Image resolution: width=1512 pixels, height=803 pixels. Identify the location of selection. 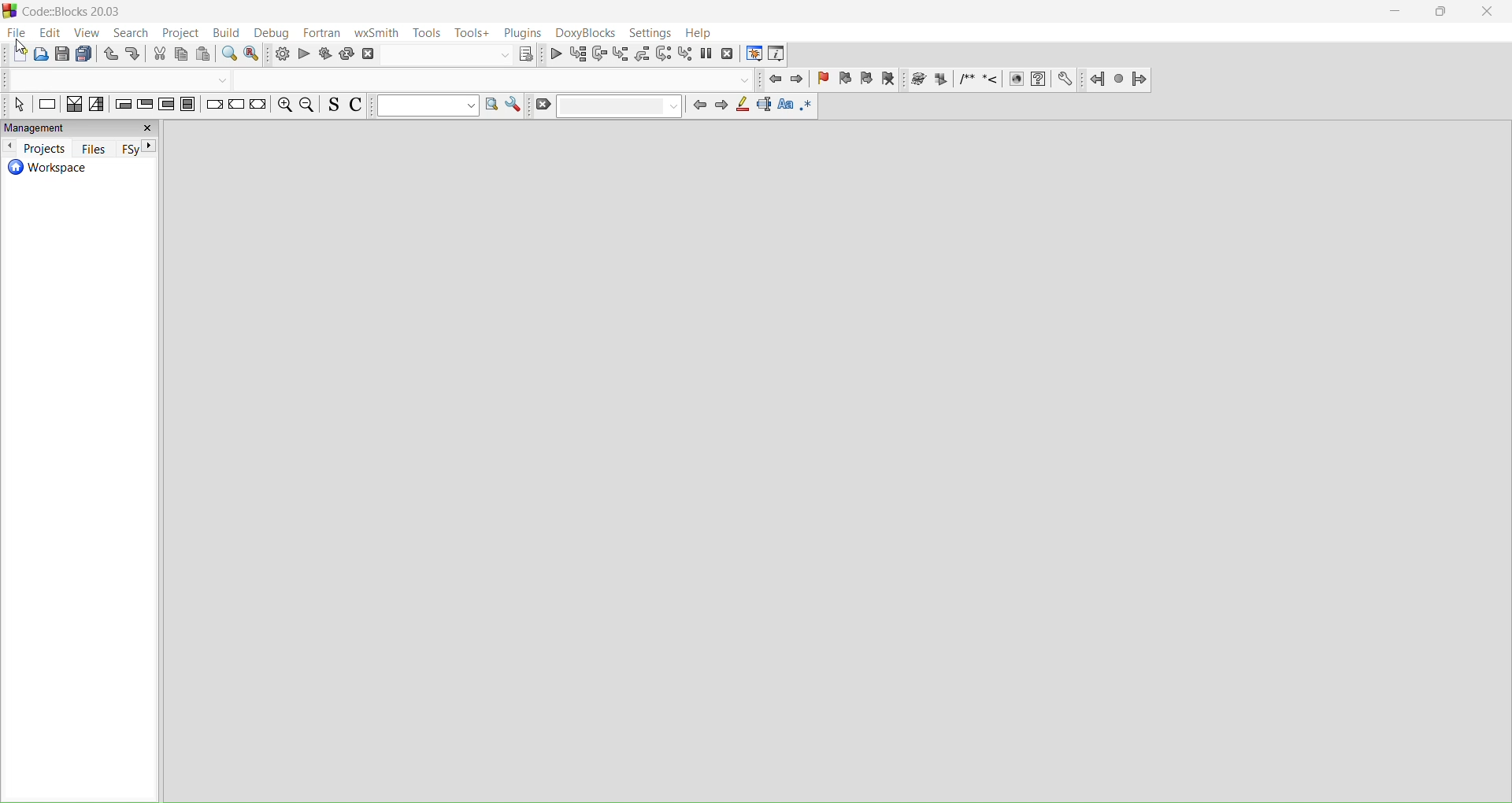
(99, 105).